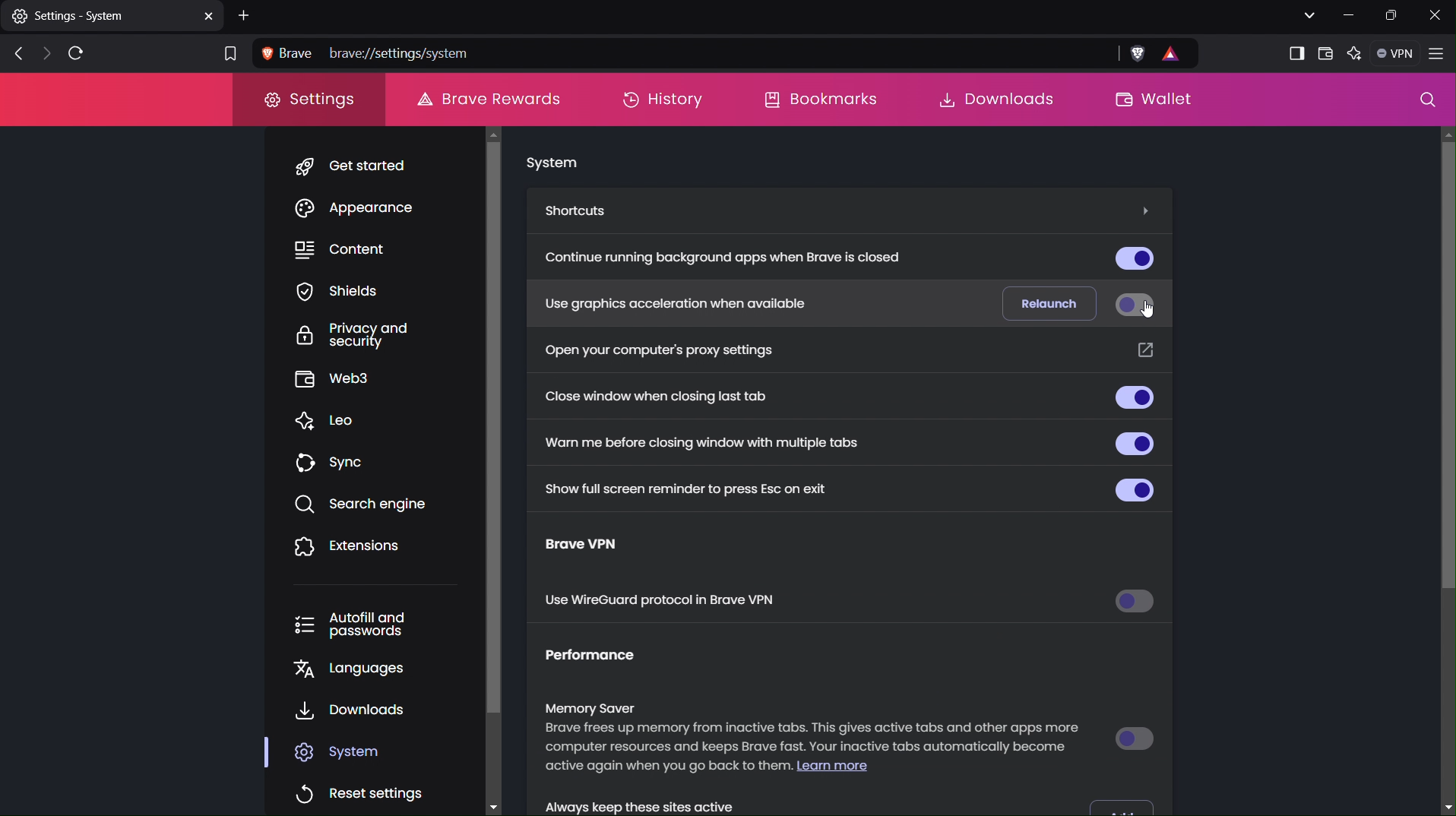  I want to click on Use Wireguard protocol, so click(664, 602).